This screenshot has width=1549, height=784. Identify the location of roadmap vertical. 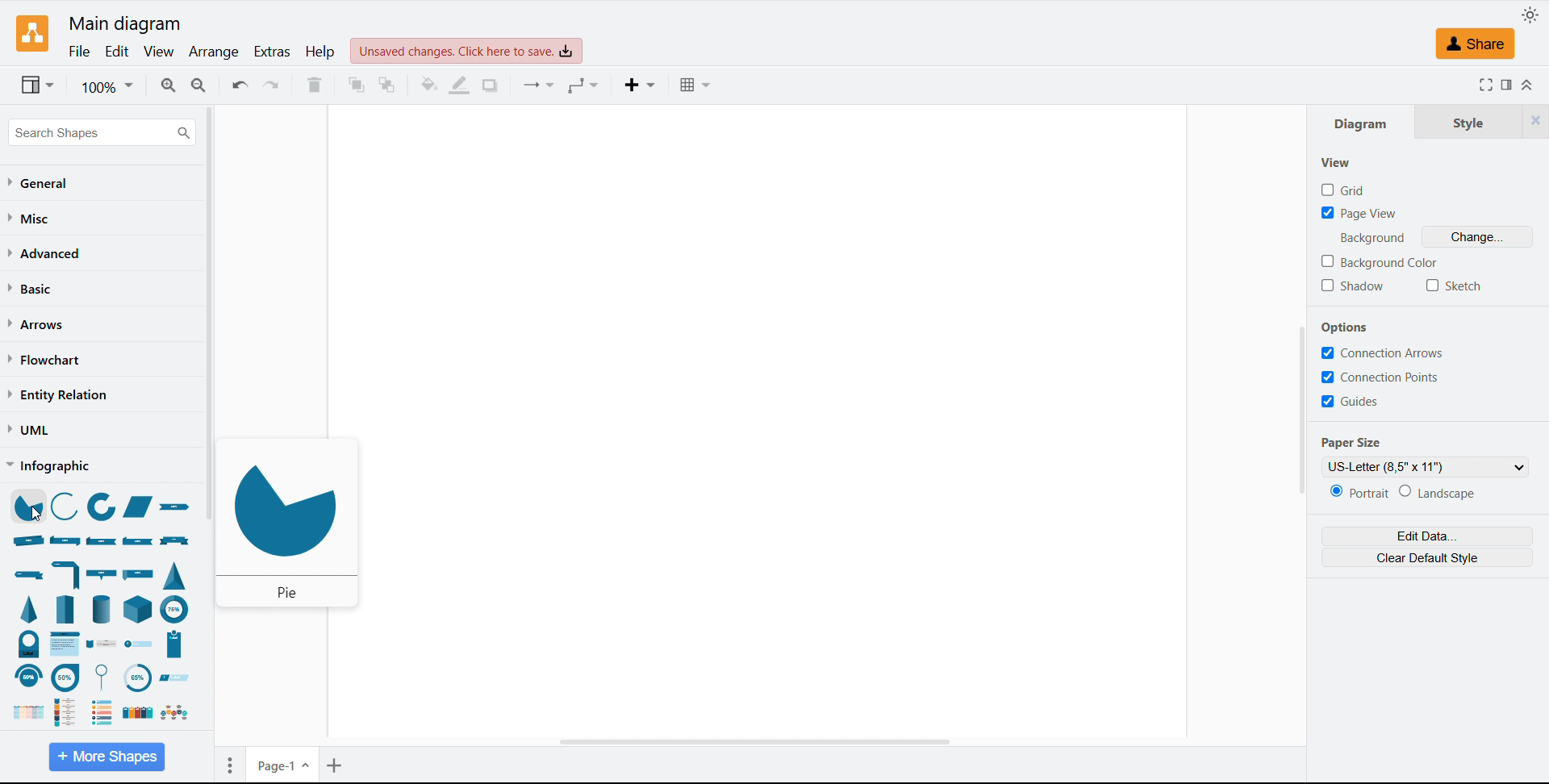
(65, 713).